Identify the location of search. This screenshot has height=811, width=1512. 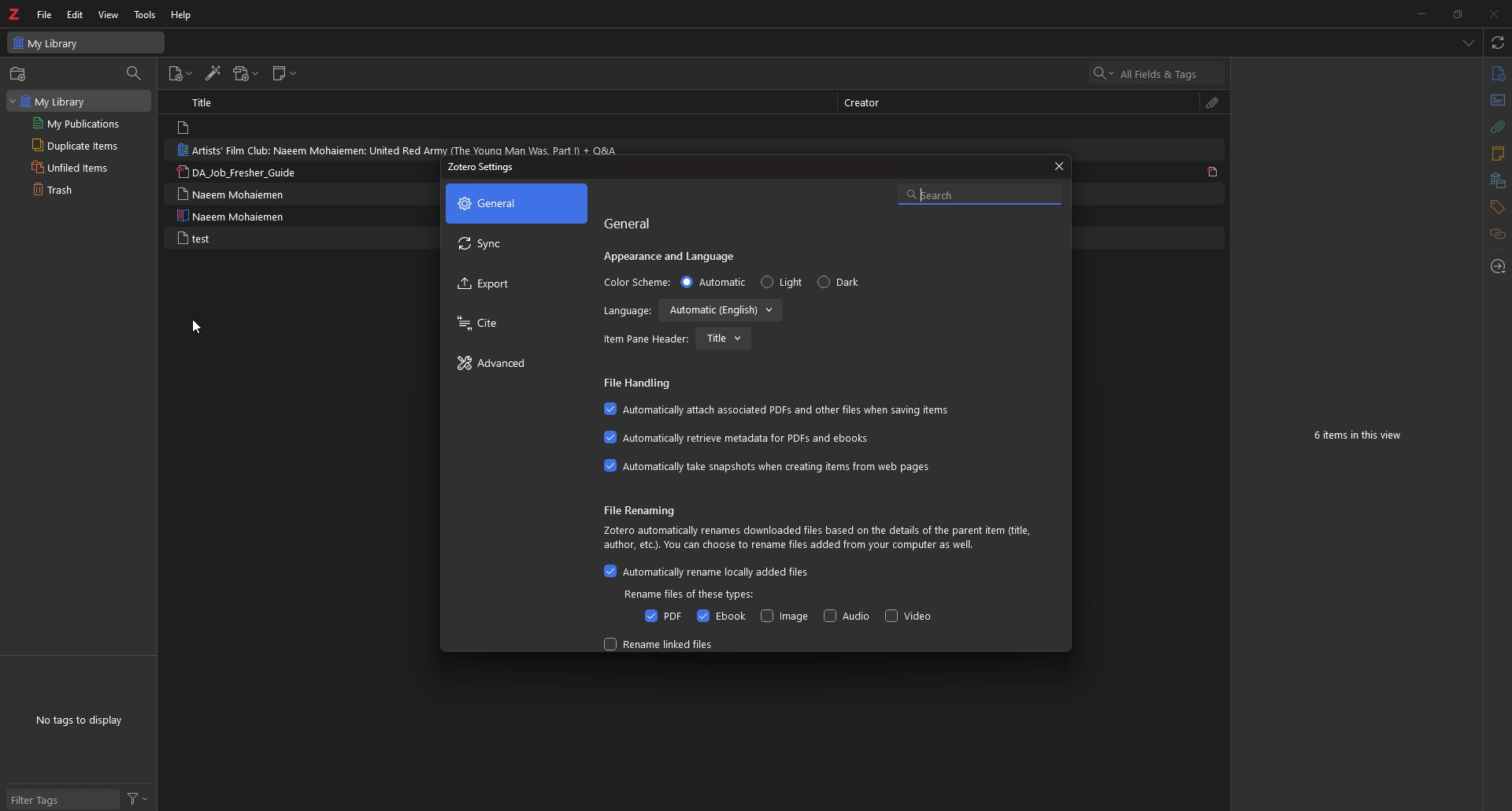
(979, 192).